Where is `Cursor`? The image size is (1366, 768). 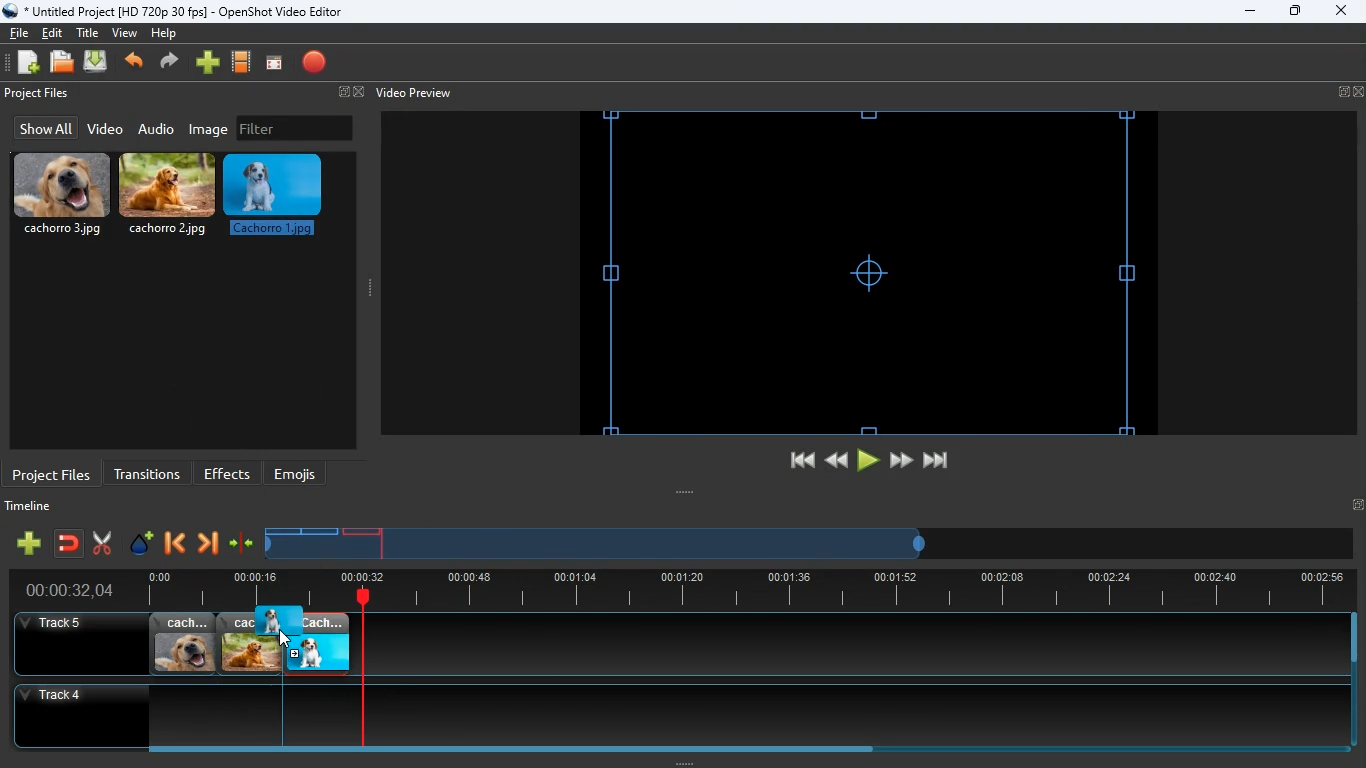
Cursor is located at coordinates (284, 639).